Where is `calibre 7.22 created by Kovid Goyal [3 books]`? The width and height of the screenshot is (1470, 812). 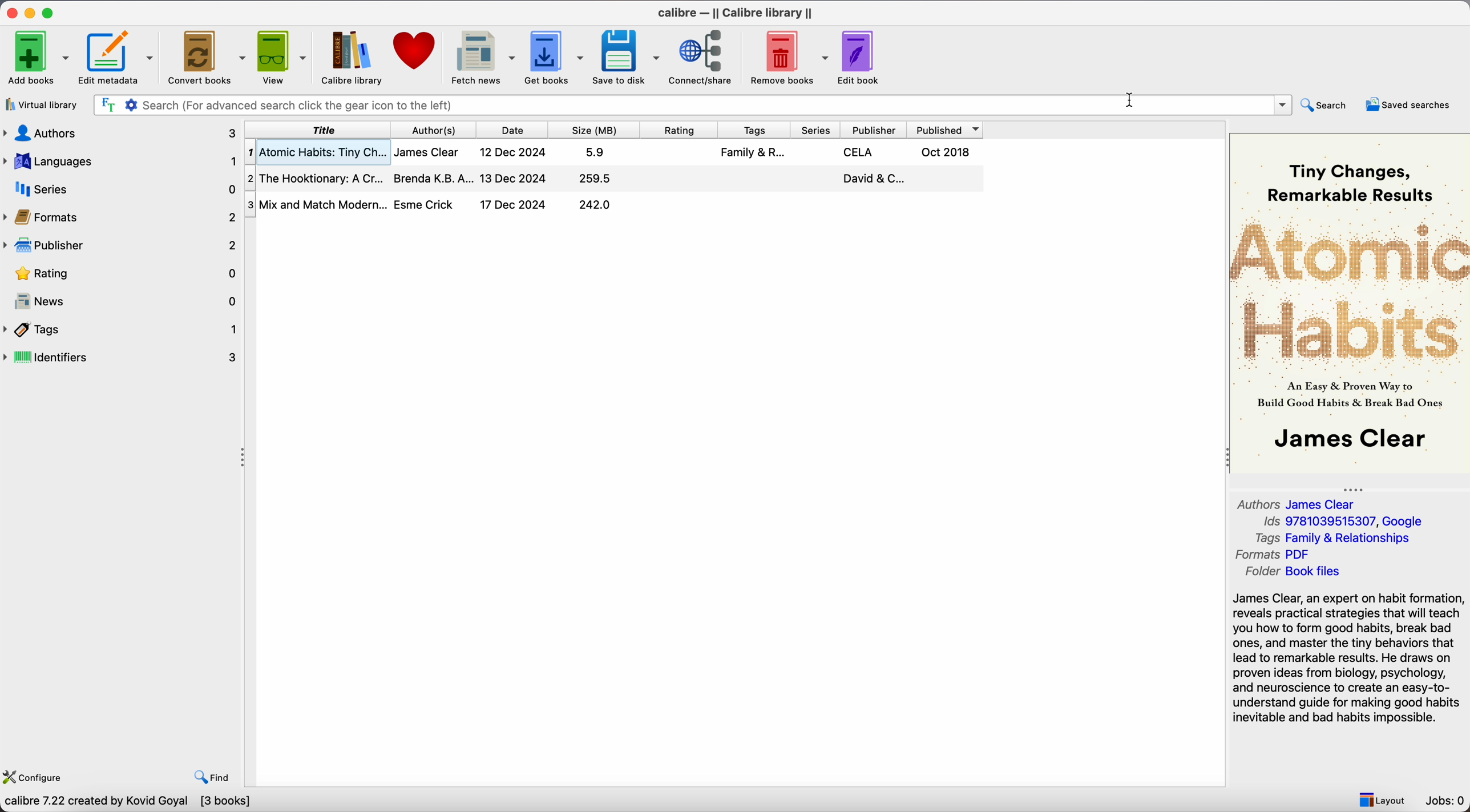
calibre 7.22 created by Kovid Goyal [3 books] is located at coordinates (127, 803).